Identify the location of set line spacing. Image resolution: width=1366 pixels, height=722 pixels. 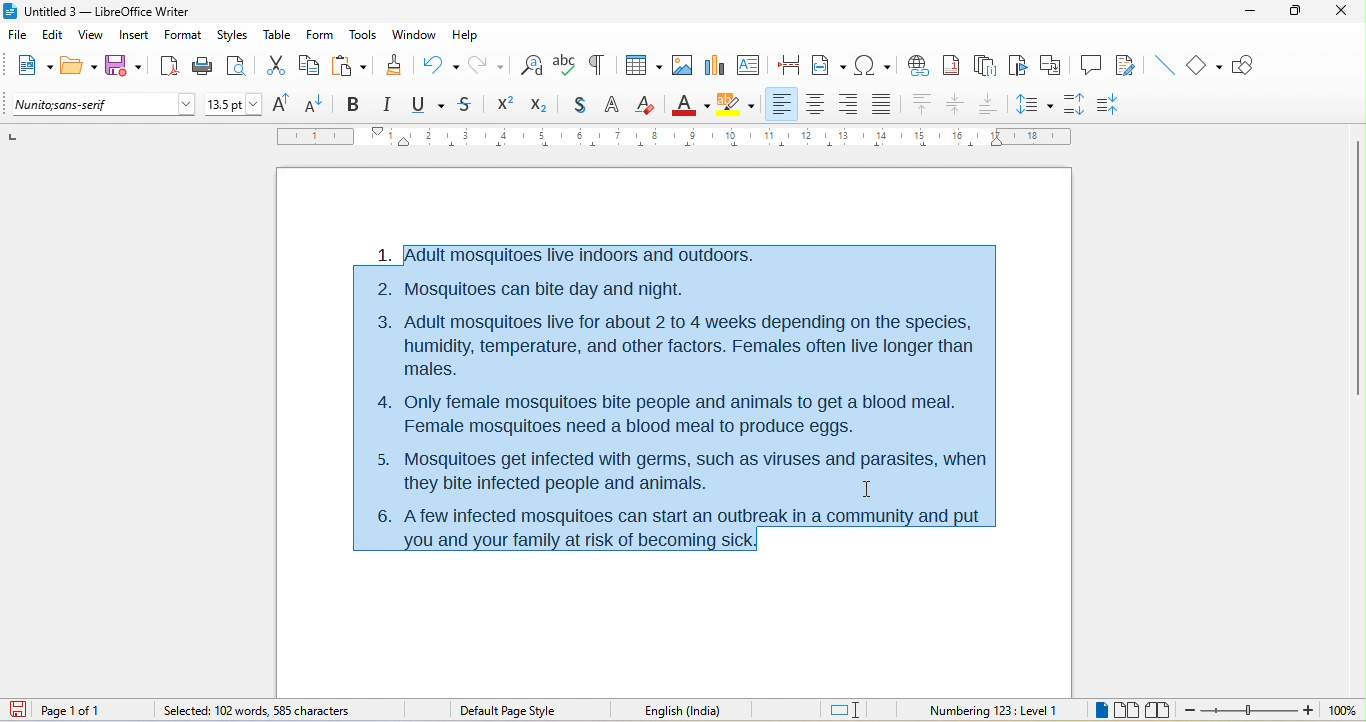
(1035, 103).